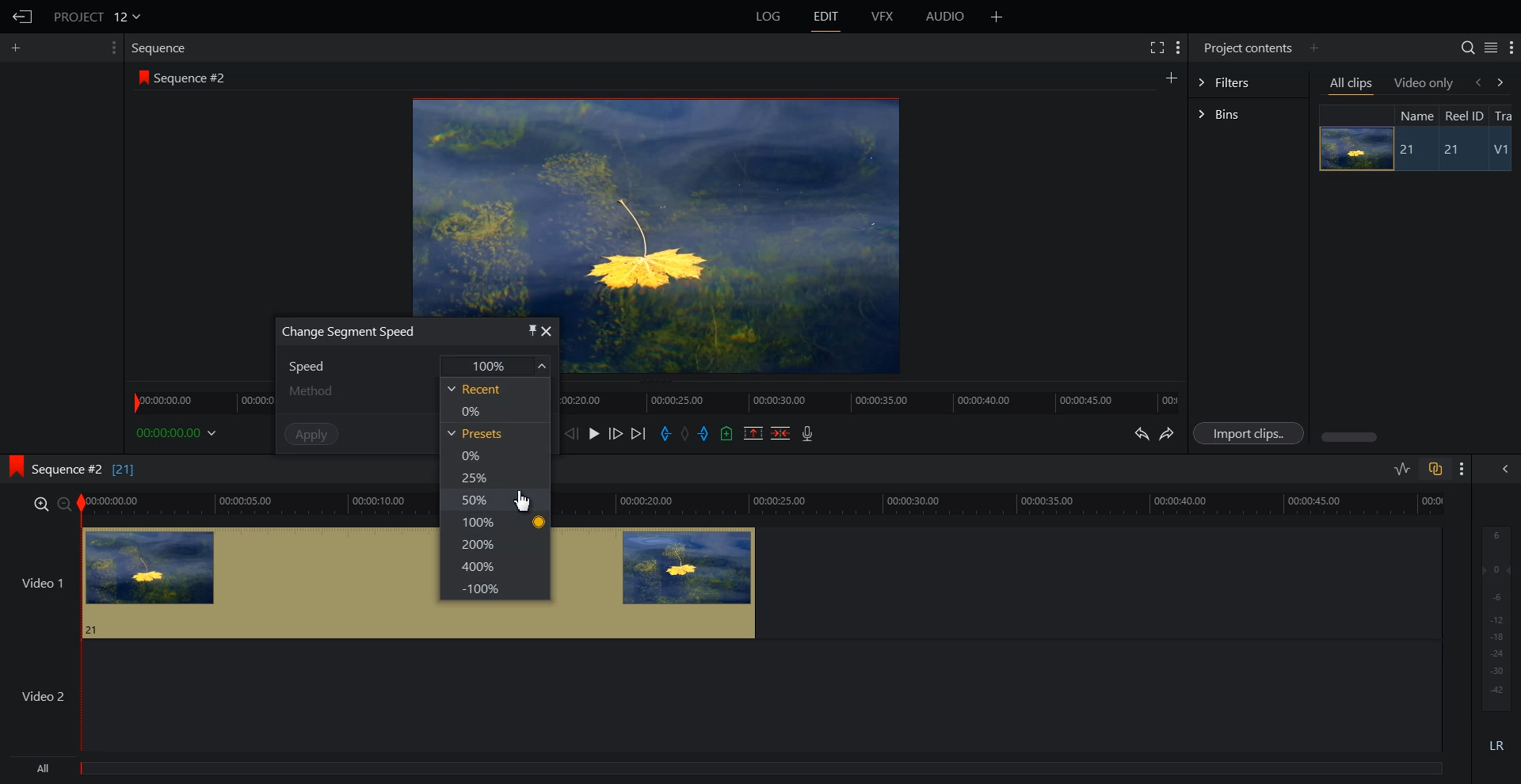  Describe the element at coordinates (1168, 434) in the screenshot. I see `Redo` at that location.